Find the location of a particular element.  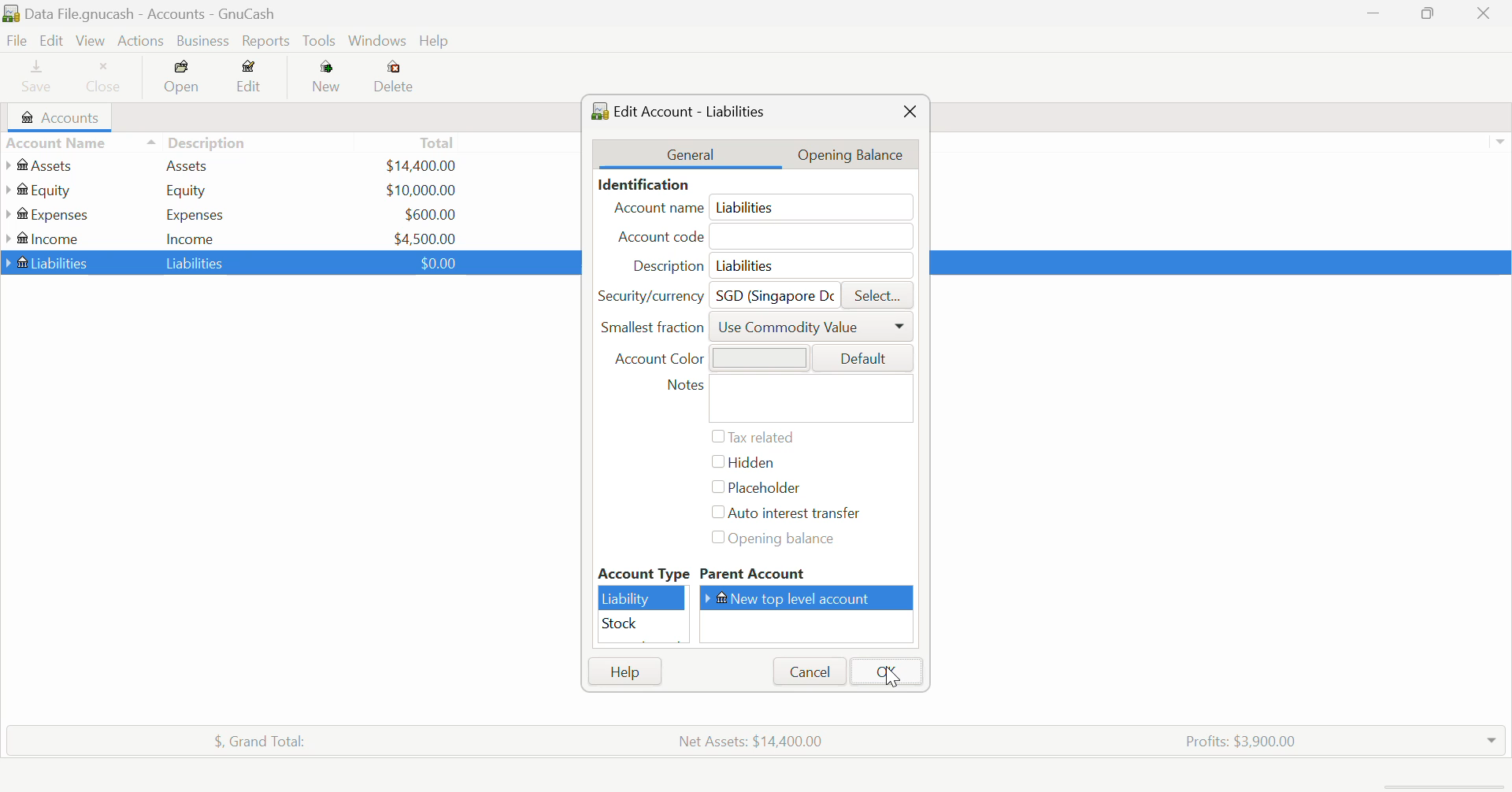

Description: Liabilities is located at coordinates (766, 265).